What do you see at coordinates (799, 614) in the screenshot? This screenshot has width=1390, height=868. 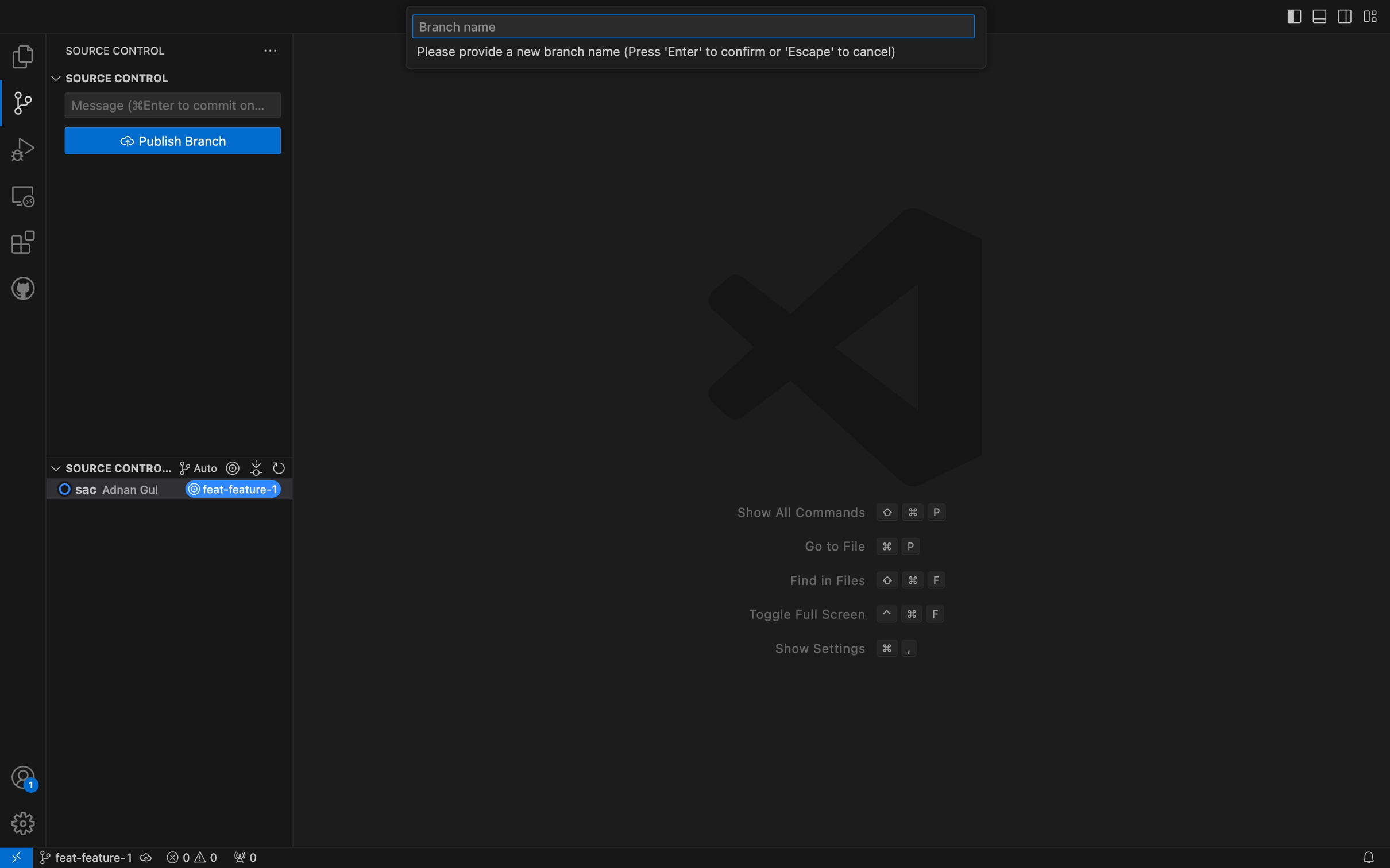 I see `Toggle Full Screen` at bounding box center [799, 614].